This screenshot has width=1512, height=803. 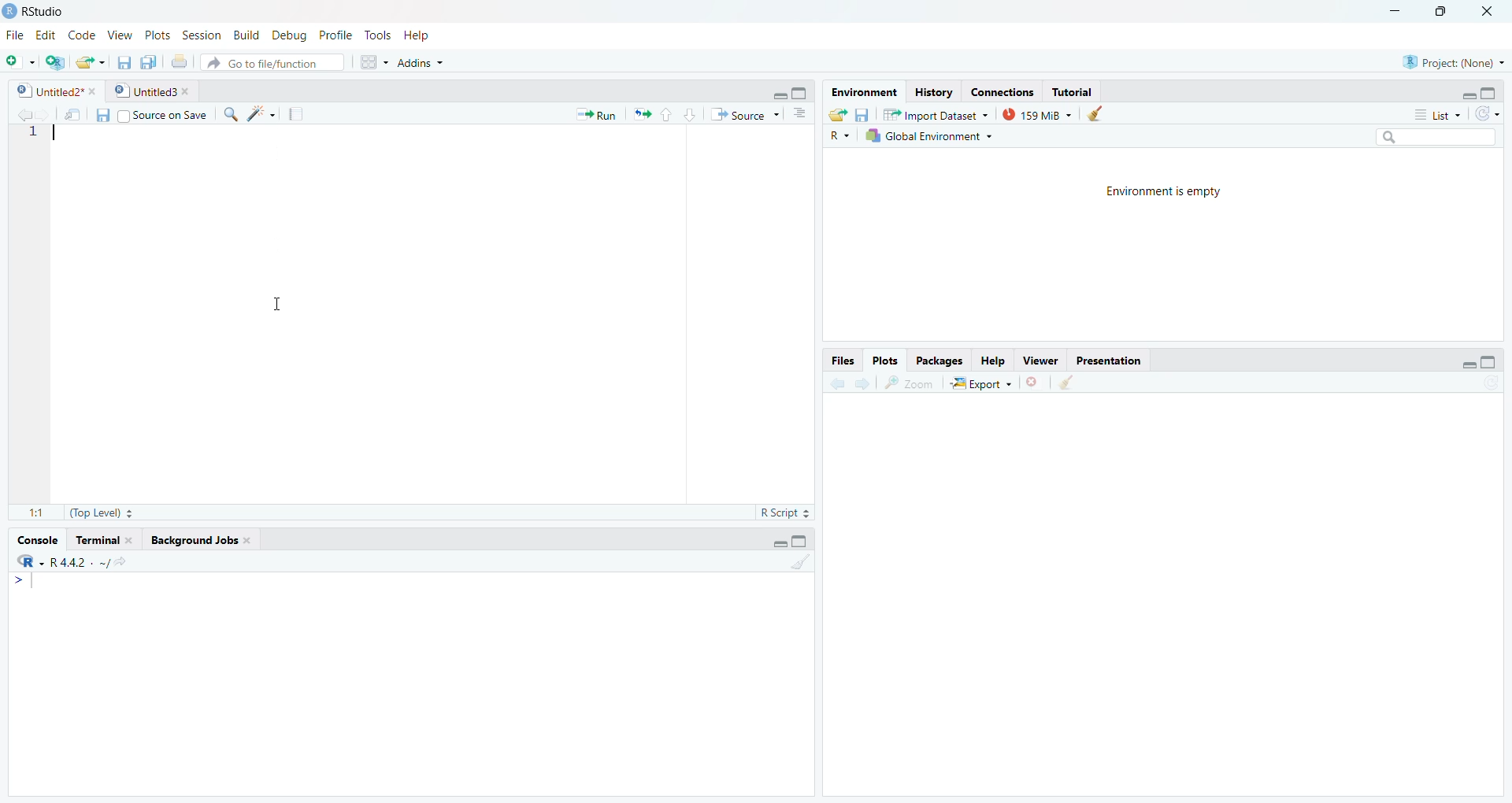 What do you see at coordinates (55, 64) in the screenshot?
I see `Create a project` at bounding box center [55, 64].